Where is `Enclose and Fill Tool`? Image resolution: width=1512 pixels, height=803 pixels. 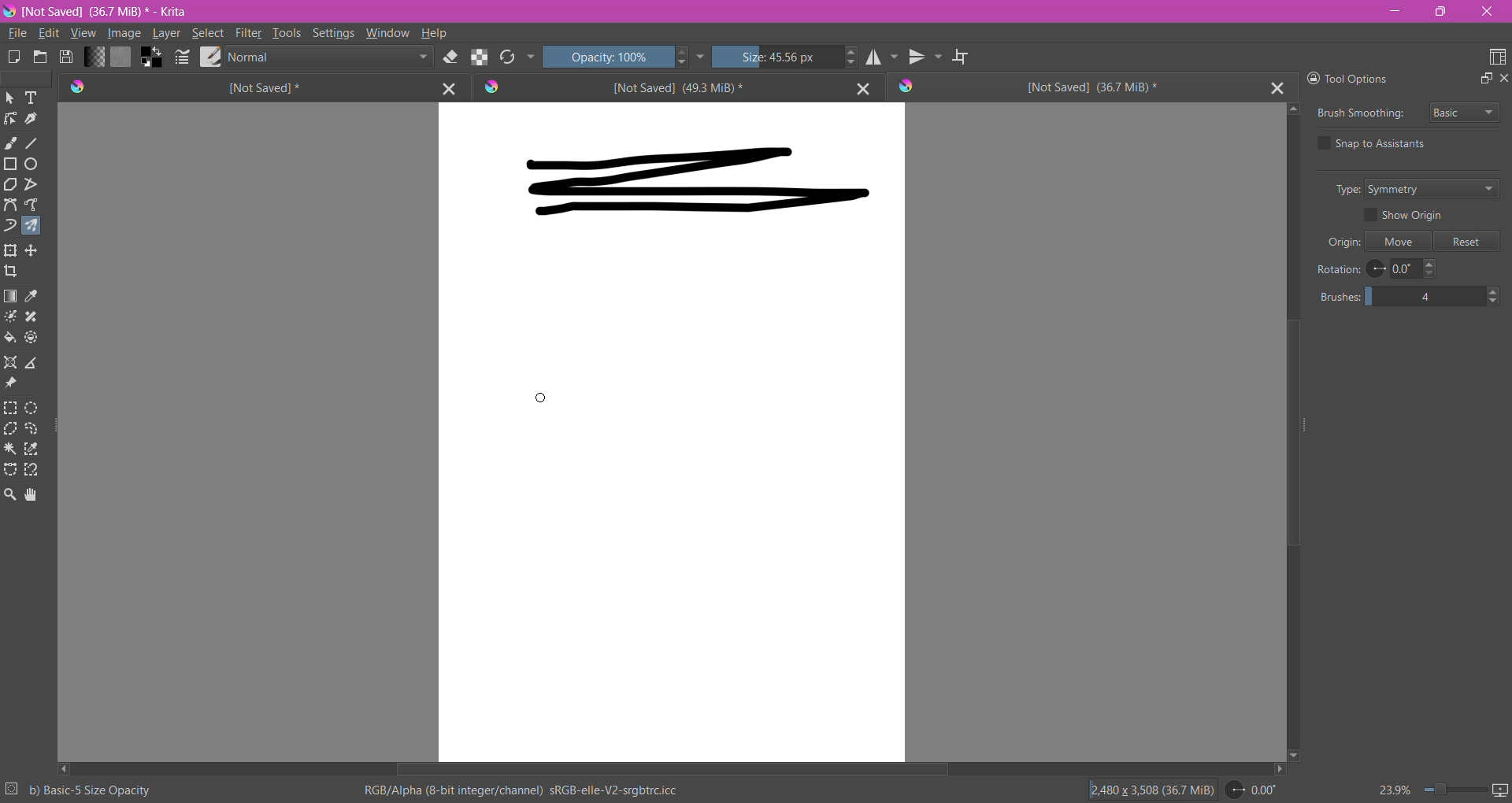
Enclose and Fill Tool is located at coordinates (33, 338).